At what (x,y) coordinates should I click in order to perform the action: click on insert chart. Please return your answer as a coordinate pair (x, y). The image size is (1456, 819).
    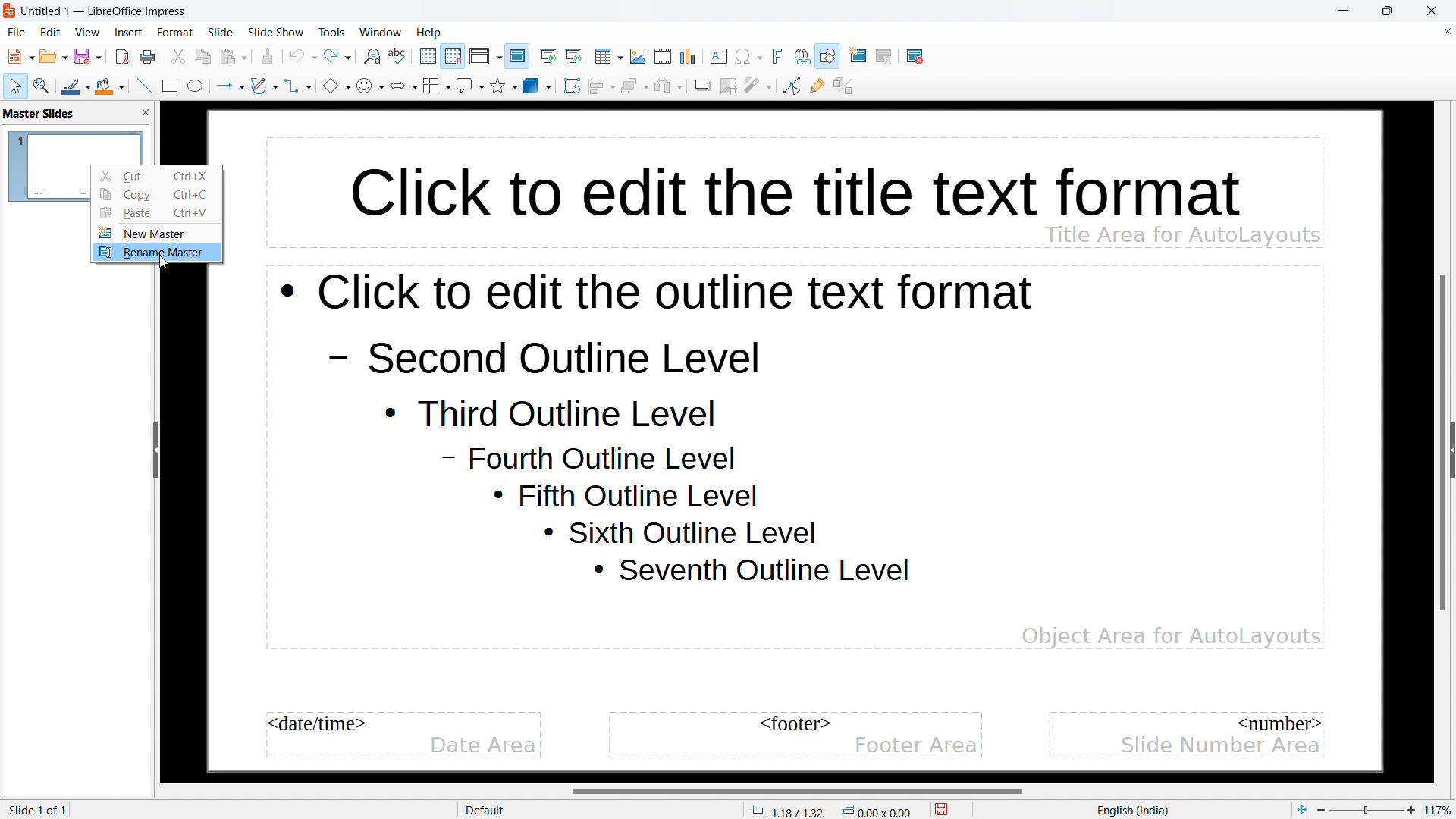
    Looking at the image, I should click on (689, 56).